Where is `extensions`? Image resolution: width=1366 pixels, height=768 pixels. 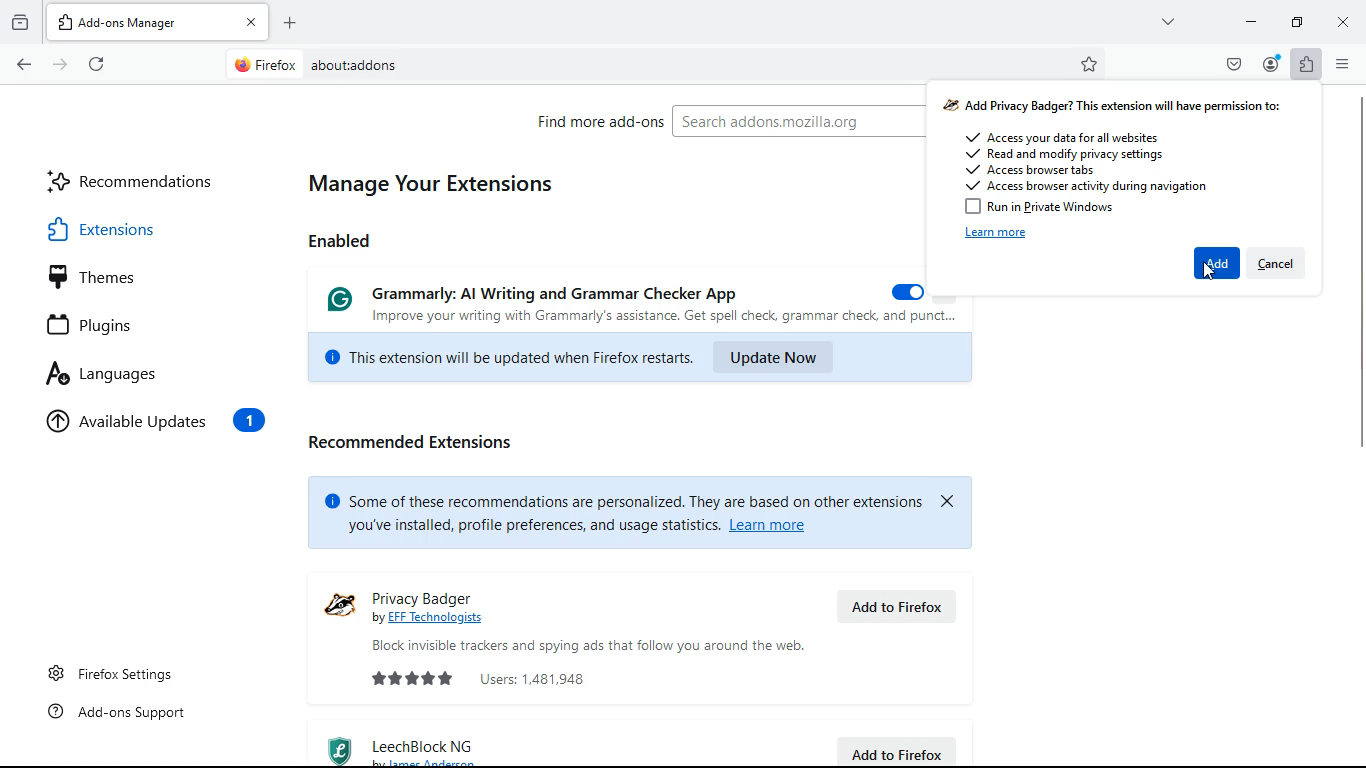
extensions is located at coordinates (1309, 63).